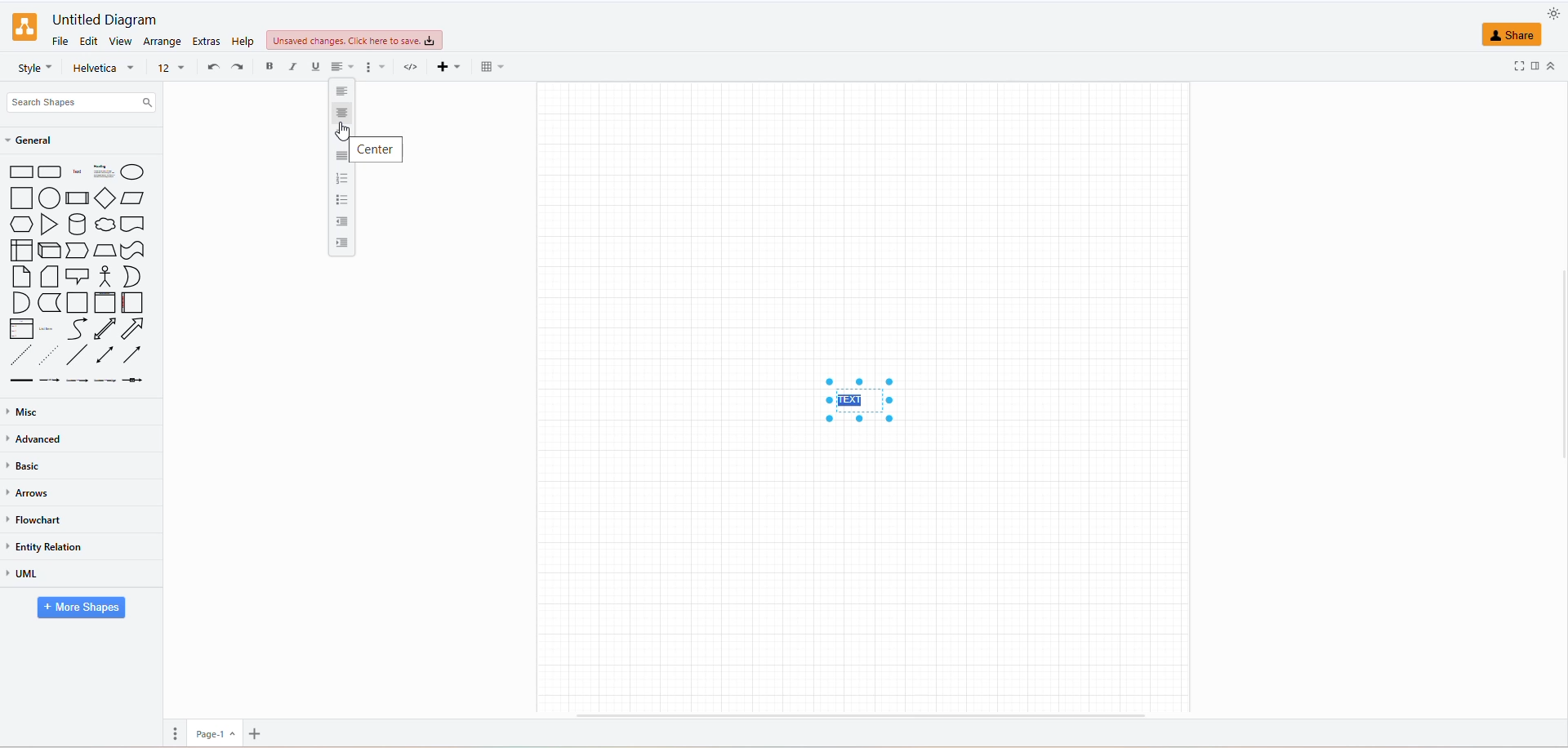  Describe the element at coordinates (1498, 34) in the screenshot. I see `share` at that location.